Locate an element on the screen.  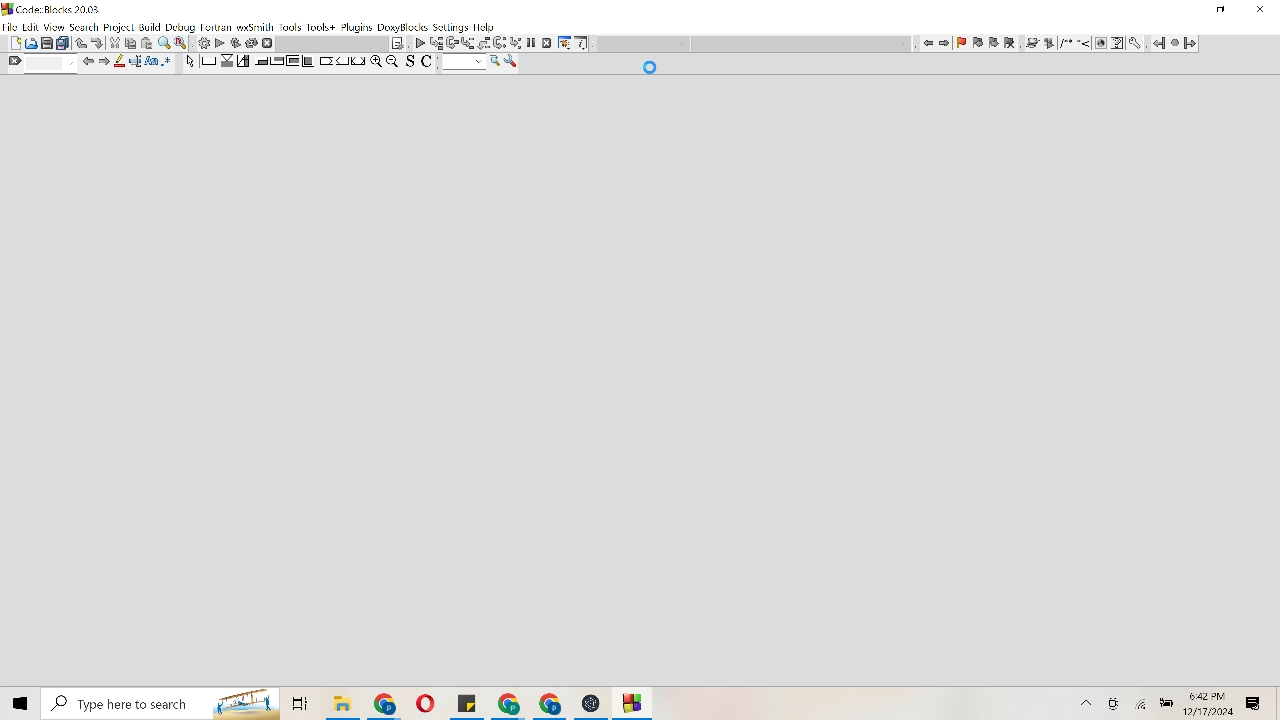
move right is located at coordinates (945, 43).